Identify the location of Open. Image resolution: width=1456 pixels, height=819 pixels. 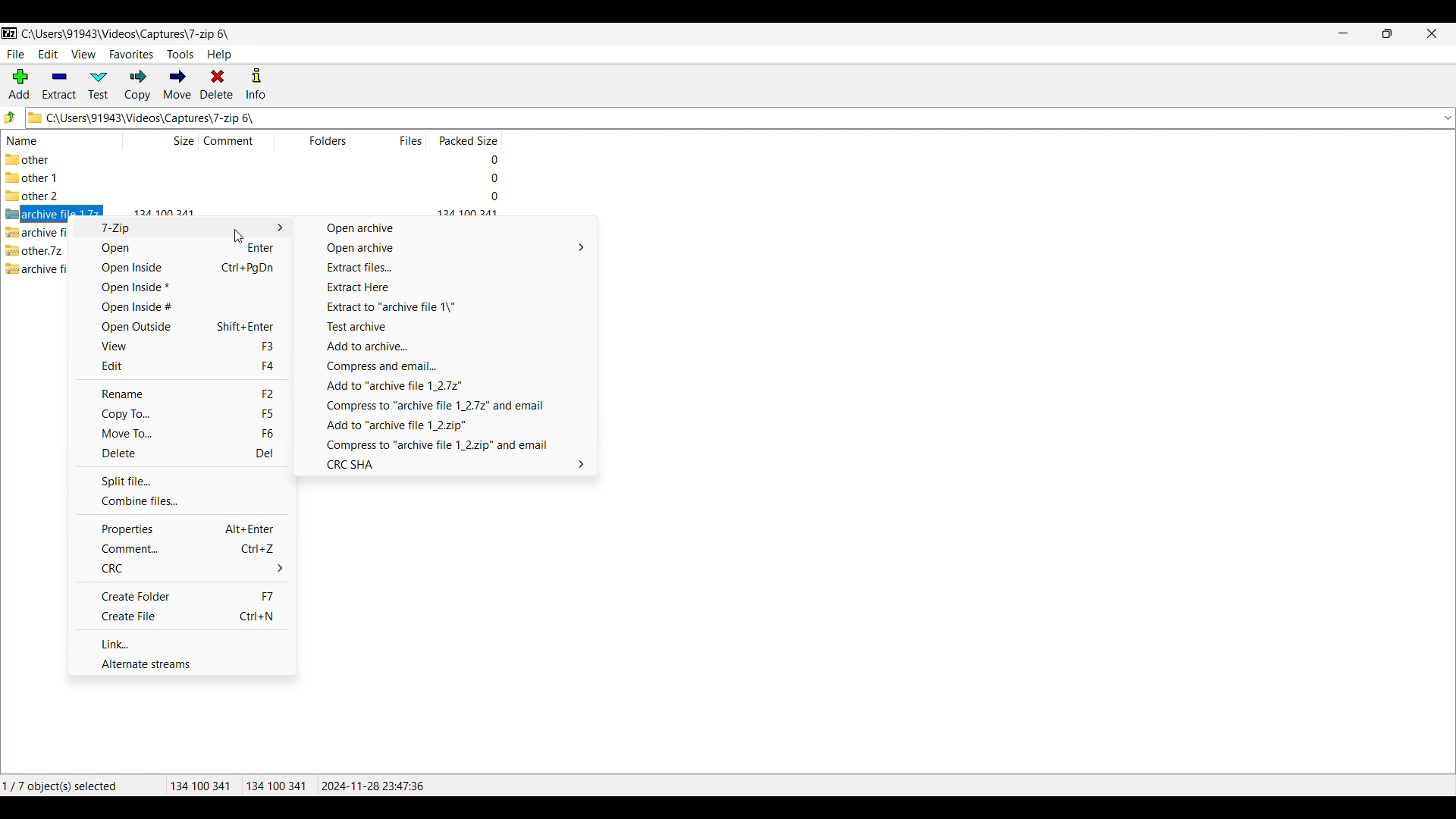
(180, 249).